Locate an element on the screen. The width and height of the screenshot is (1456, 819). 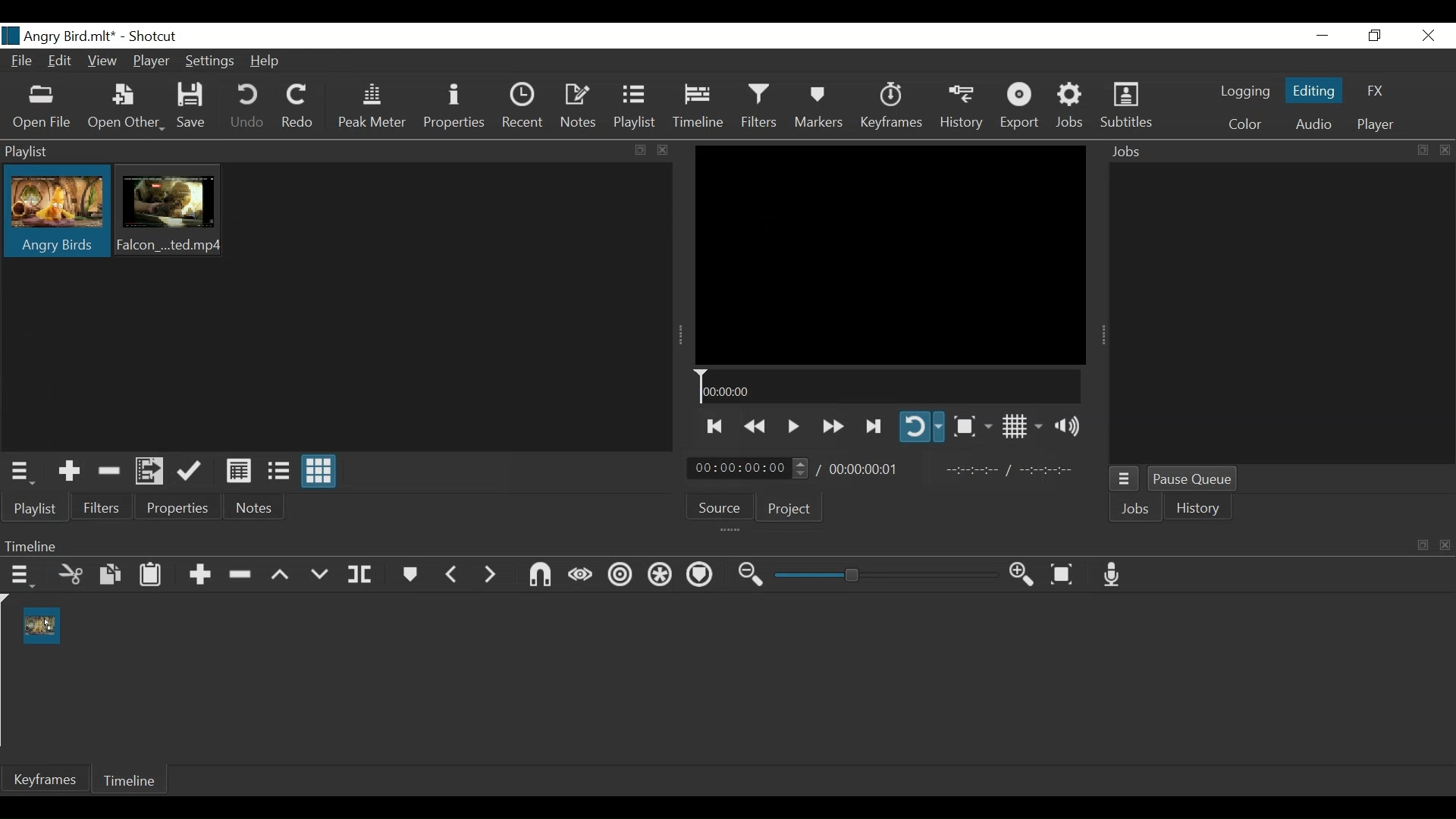
Player is located at coordinates (152, 63).